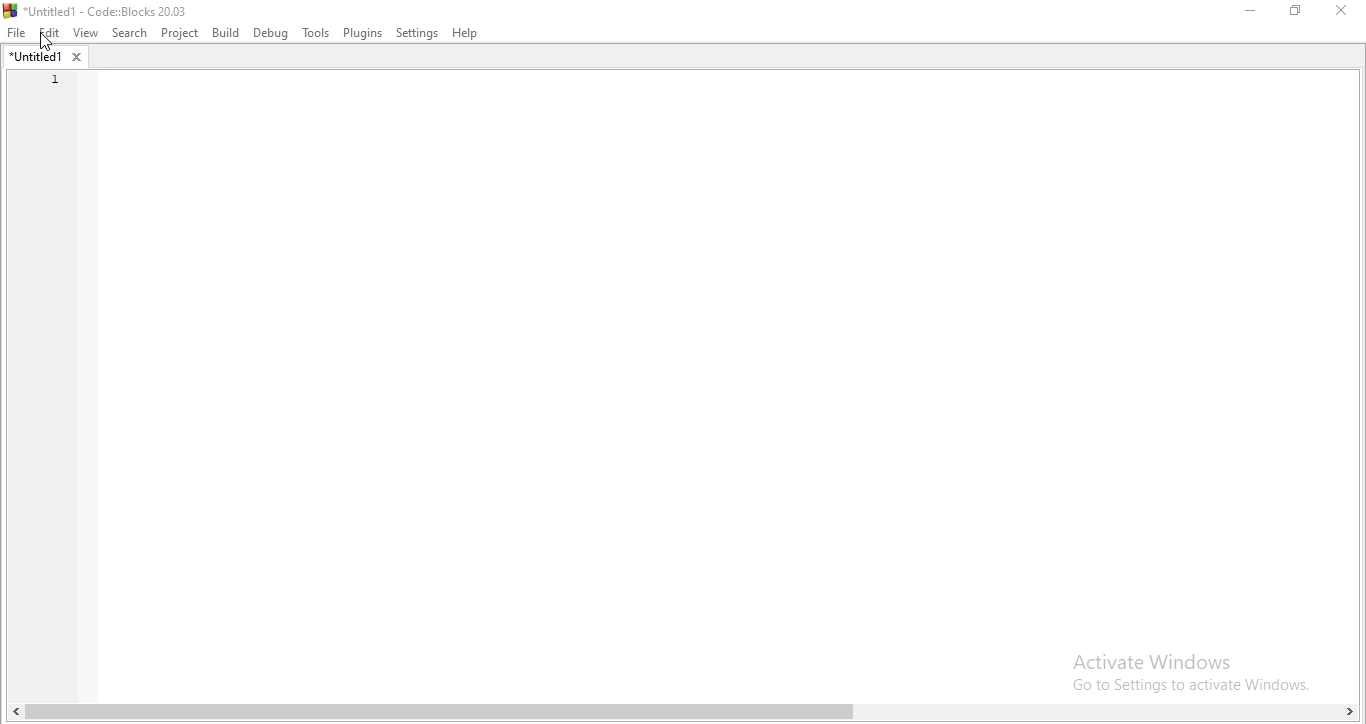 Image resolution: width=1366 pixels, height=724 pixels. Describe the element at coordinates (1184, 664) in the screenshot. I see `Activate Windows
Go to Settings to activate Windows.` at that location.